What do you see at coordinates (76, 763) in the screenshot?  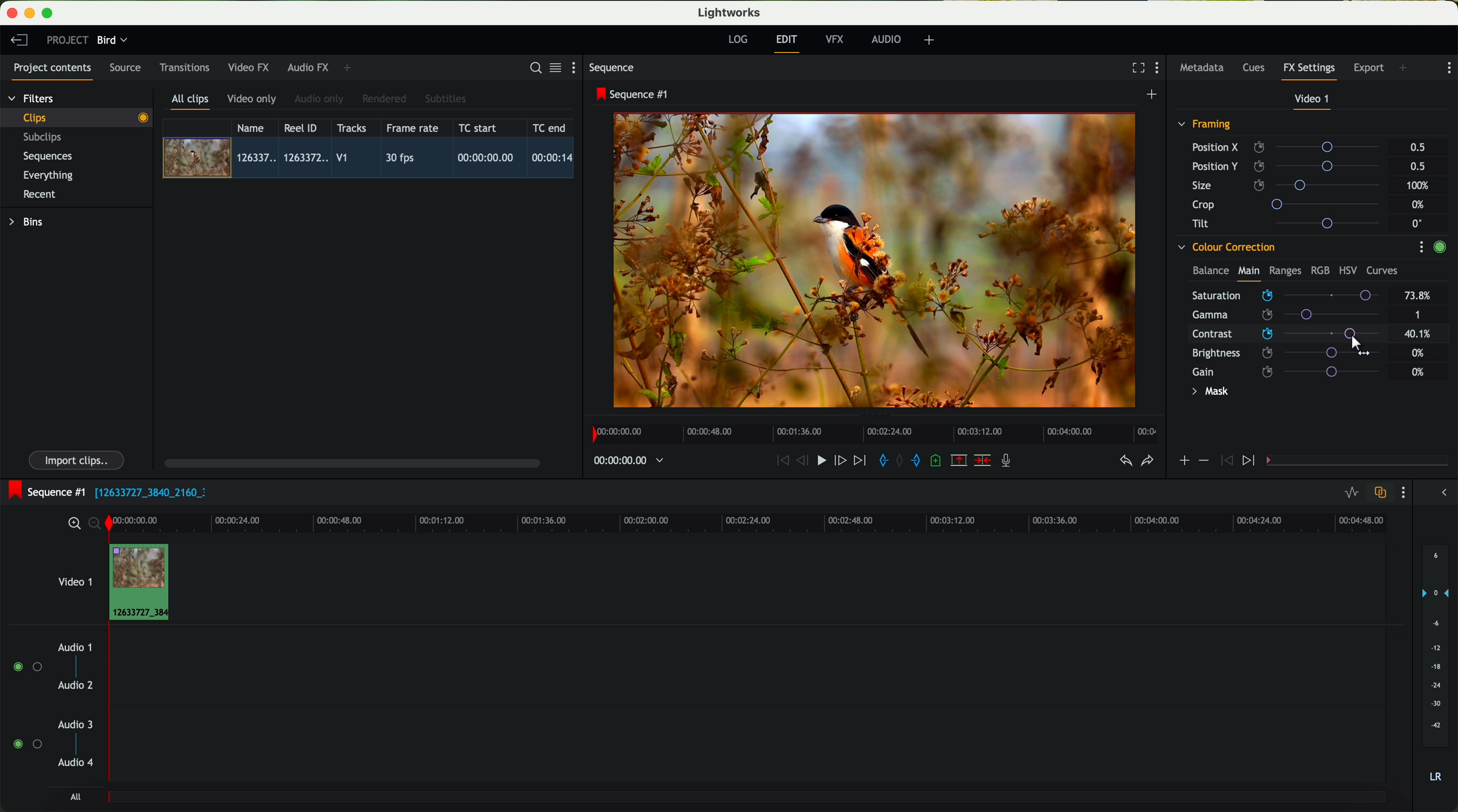 I see `audio 4` at bounding box center [76, 763].